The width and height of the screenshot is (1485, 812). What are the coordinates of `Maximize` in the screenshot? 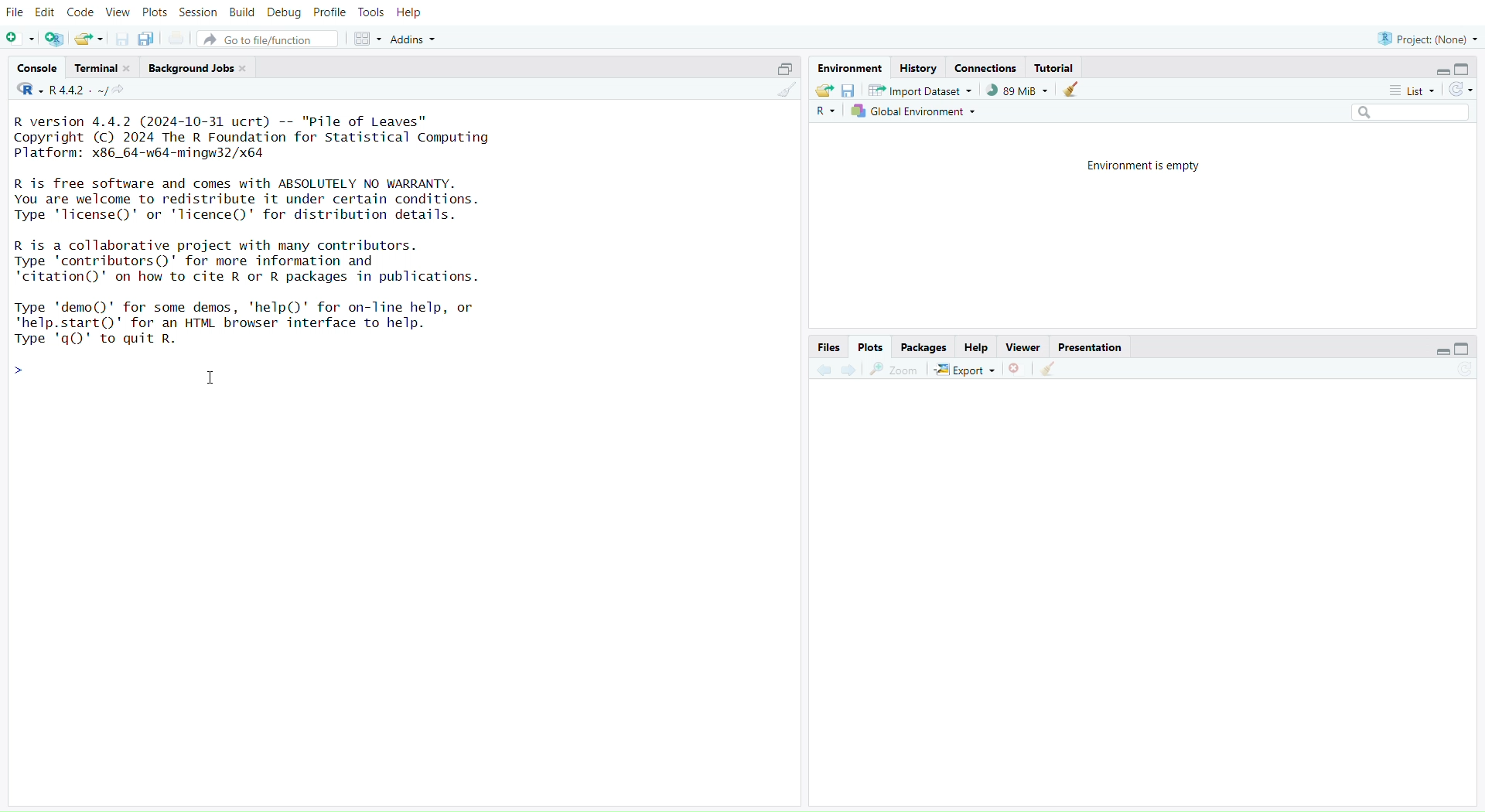 It's located at (1465, 350).